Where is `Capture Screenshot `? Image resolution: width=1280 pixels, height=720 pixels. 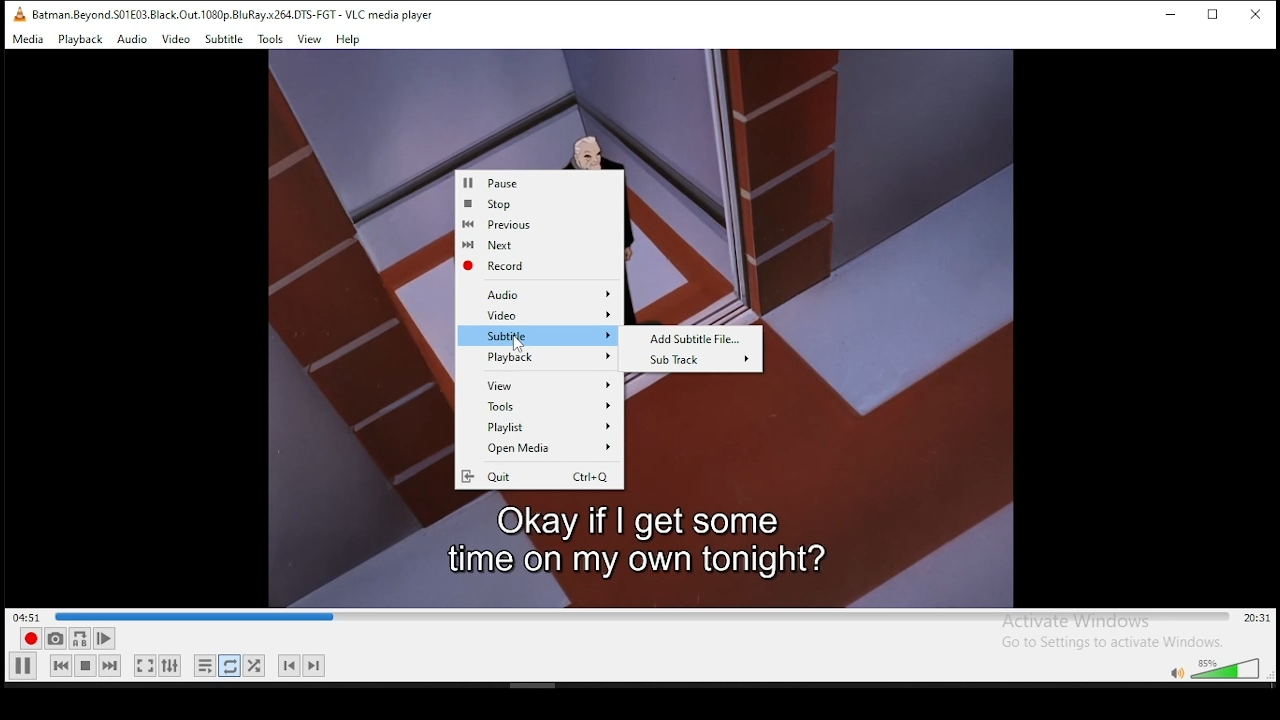 Capture Screenshot  is located at coordinates (55, 638).